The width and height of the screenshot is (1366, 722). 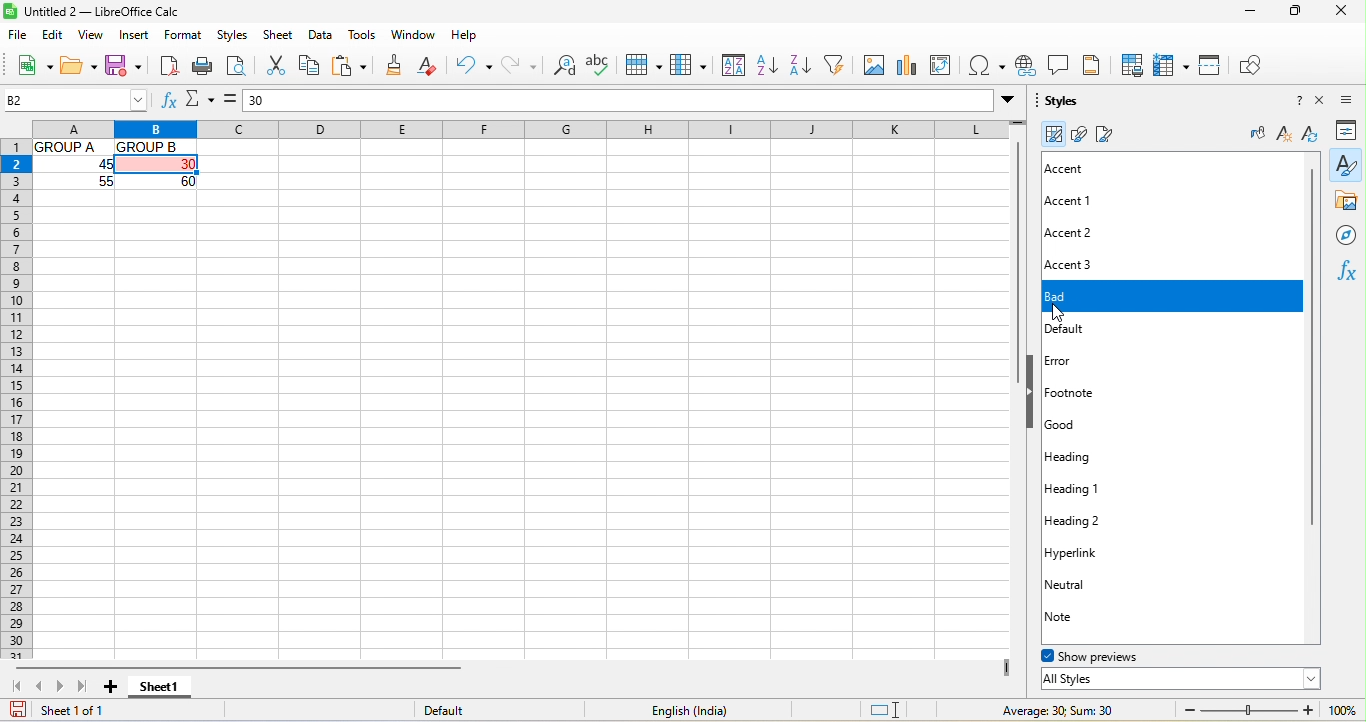 What do you see at coordinates (88, 165) in the screenshot?
I see `45` at bounding box center [88, 165].